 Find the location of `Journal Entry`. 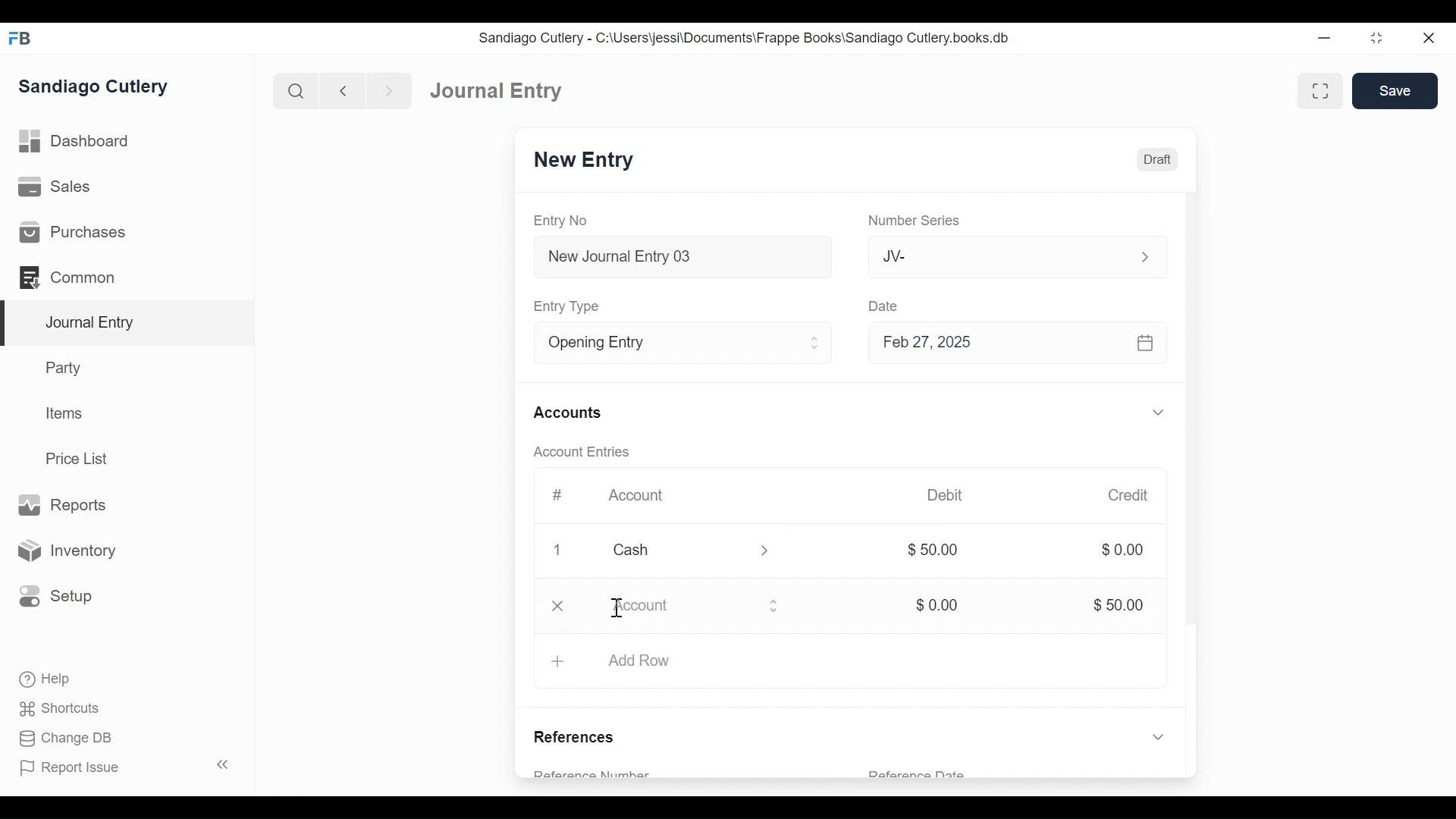

Journal Entry is located at coordinates (124, 324).